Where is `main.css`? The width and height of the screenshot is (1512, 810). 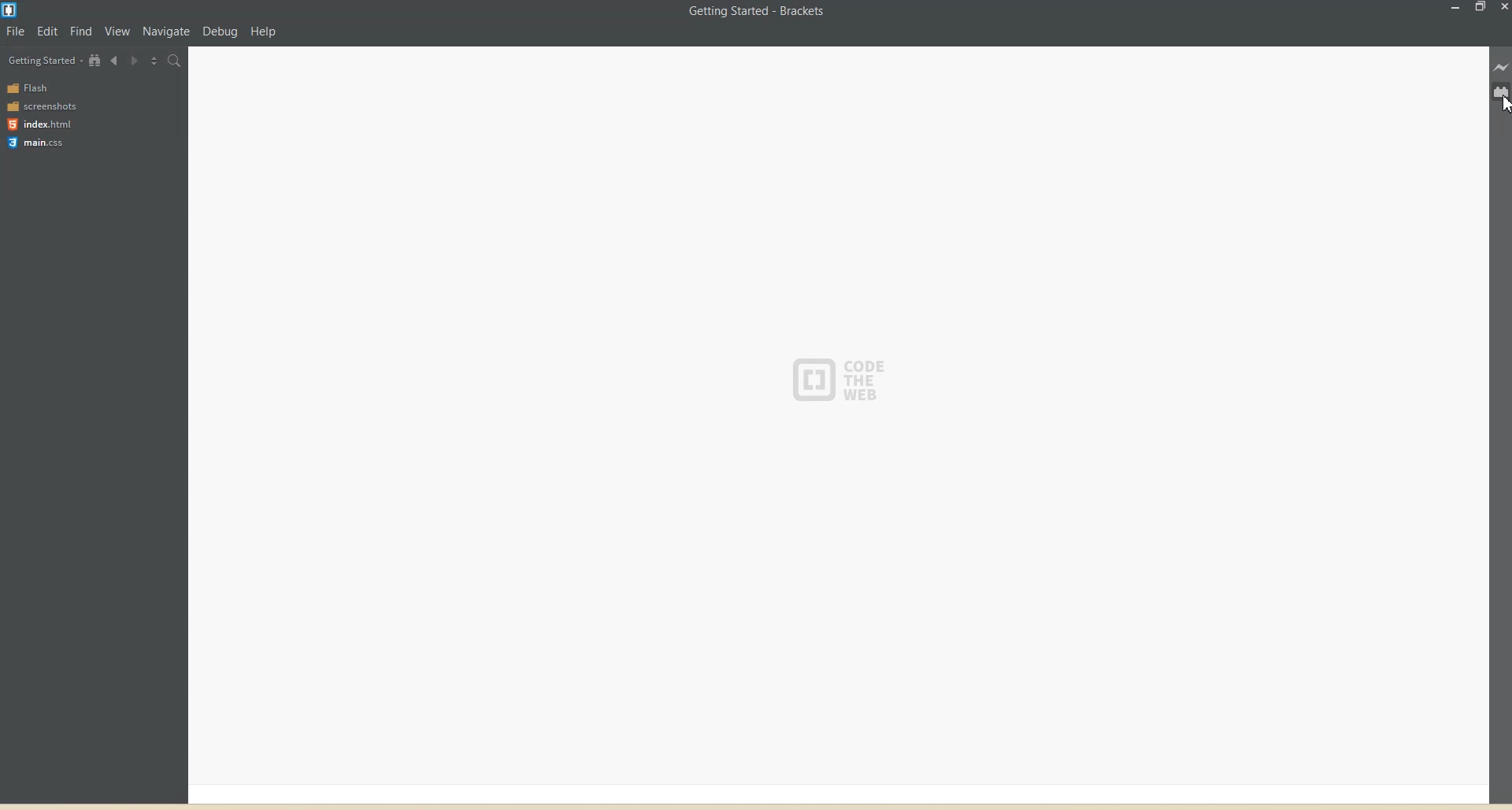 main.css is located at coordinates (39, 143).